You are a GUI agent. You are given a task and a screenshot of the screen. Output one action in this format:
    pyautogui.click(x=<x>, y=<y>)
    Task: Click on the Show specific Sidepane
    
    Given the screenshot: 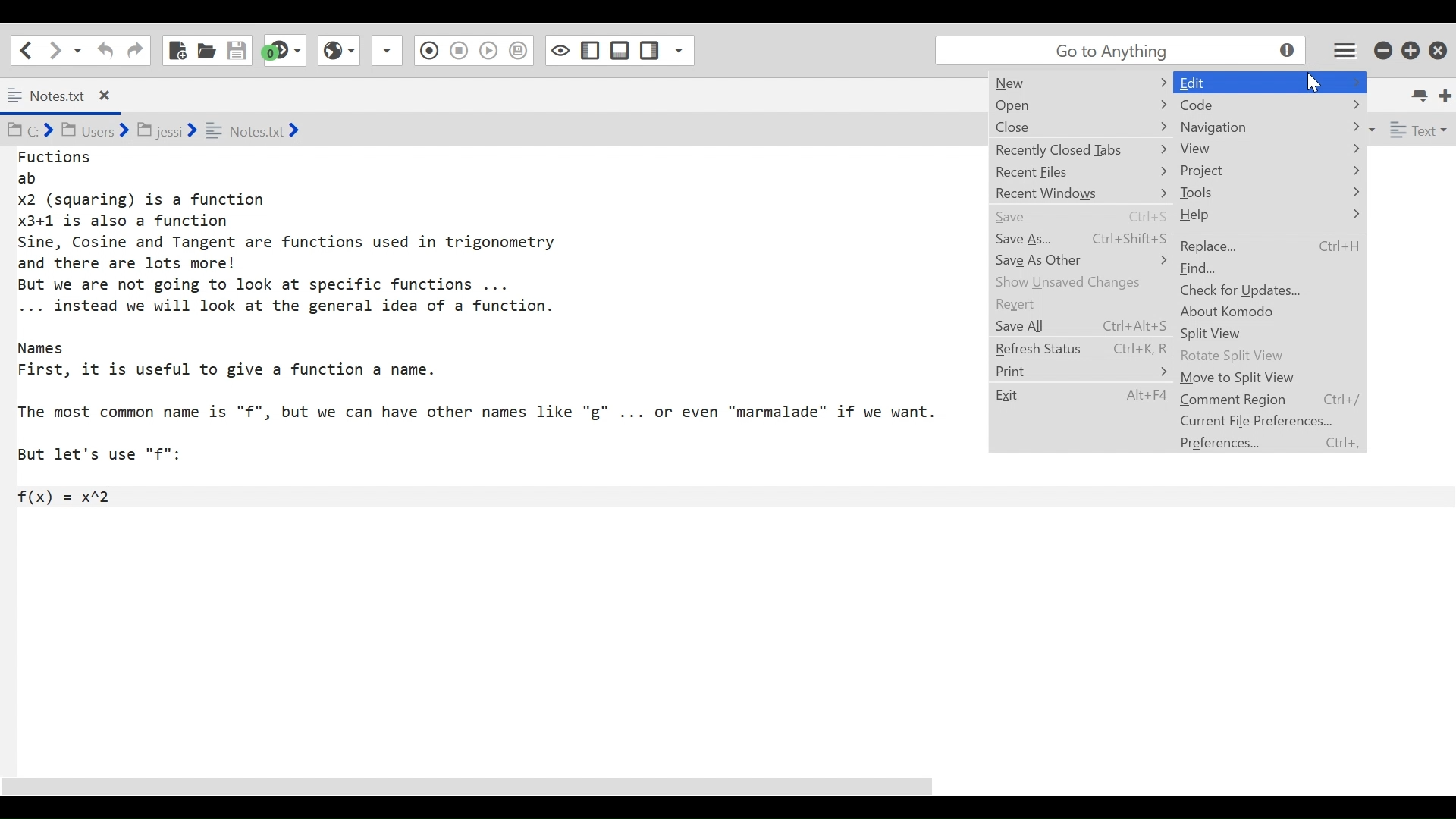 What is the action you would take?
    pyautogui.click(x=667, y=51)
    